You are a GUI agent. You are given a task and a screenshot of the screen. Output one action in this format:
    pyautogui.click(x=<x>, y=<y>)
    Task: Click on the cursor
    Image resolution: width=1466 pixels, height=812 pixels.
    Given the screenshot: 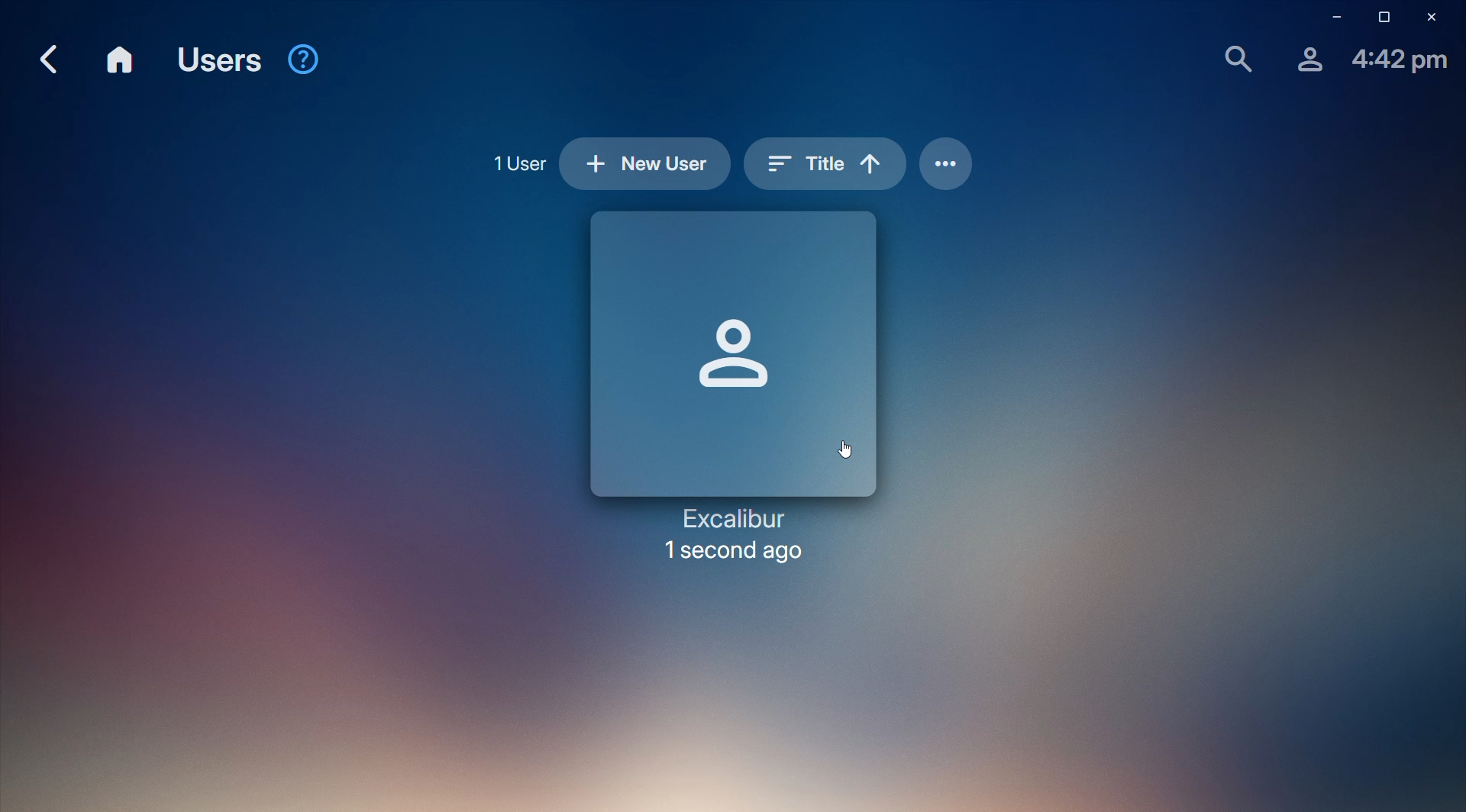 What is the action you would take?
    pyautogui.click(x=849, y=443)
    